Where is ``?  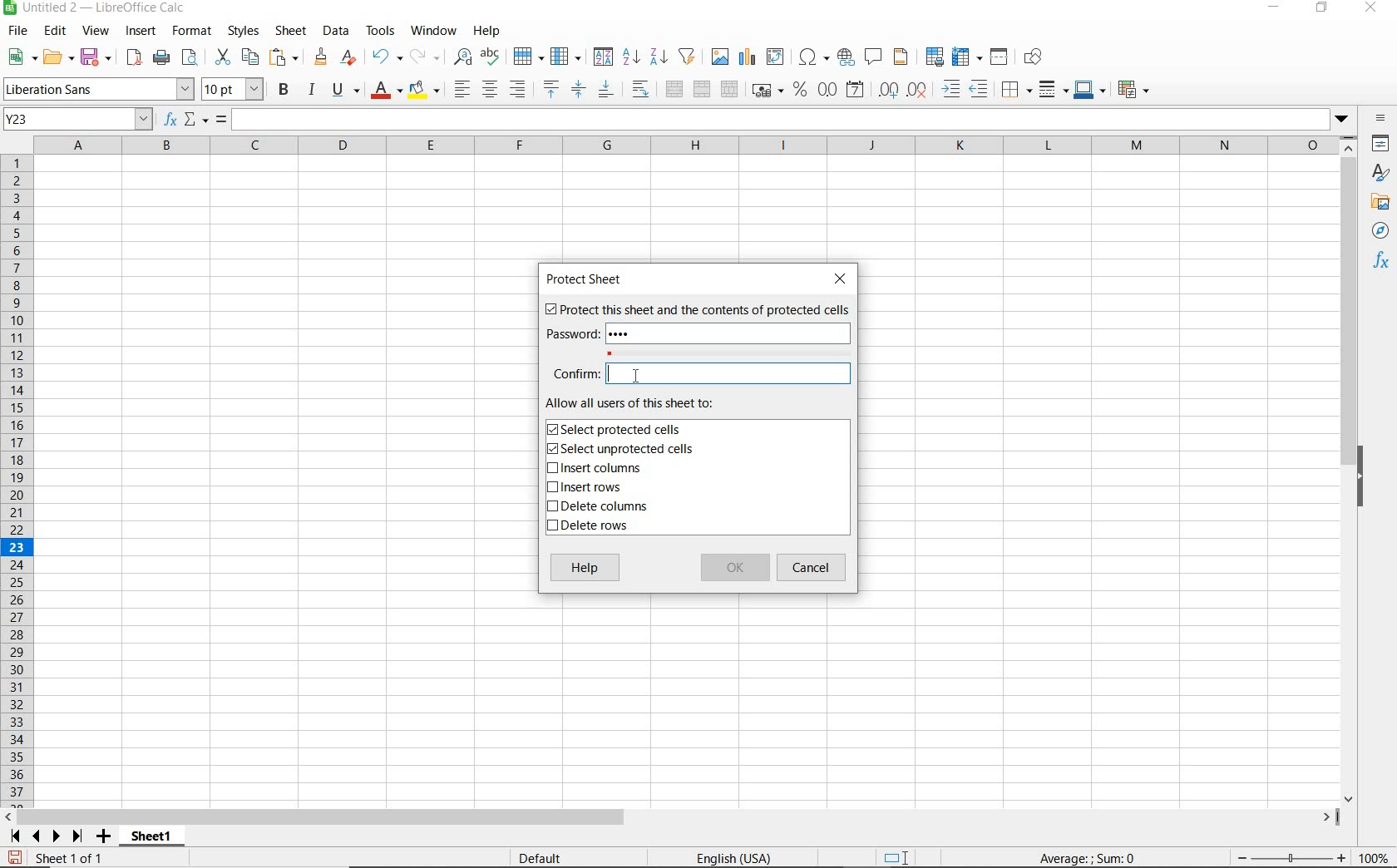
 is located at coordinates (491, 58).